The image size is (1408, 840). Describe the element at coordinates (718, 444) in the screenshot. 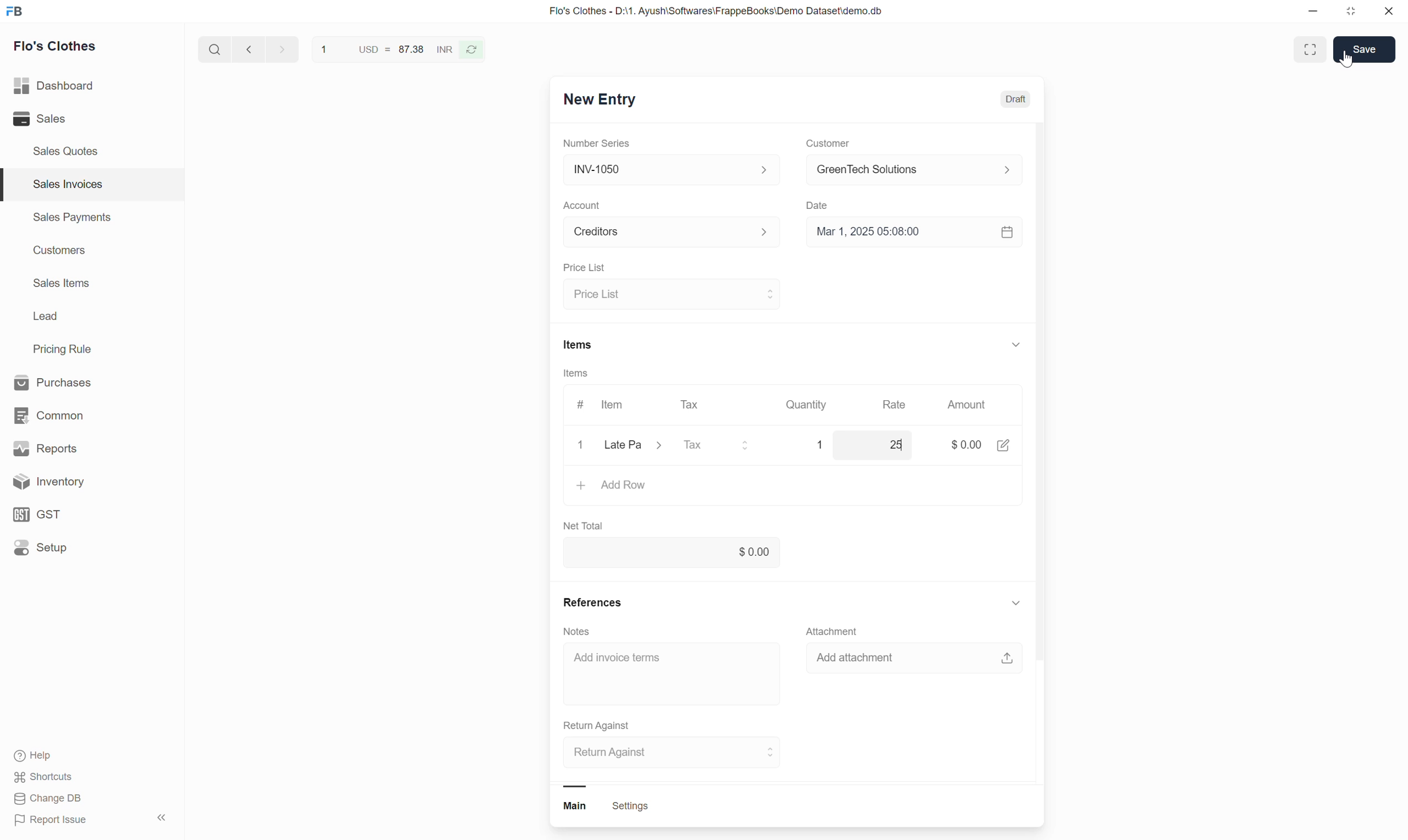

I see `select tax` at that location.